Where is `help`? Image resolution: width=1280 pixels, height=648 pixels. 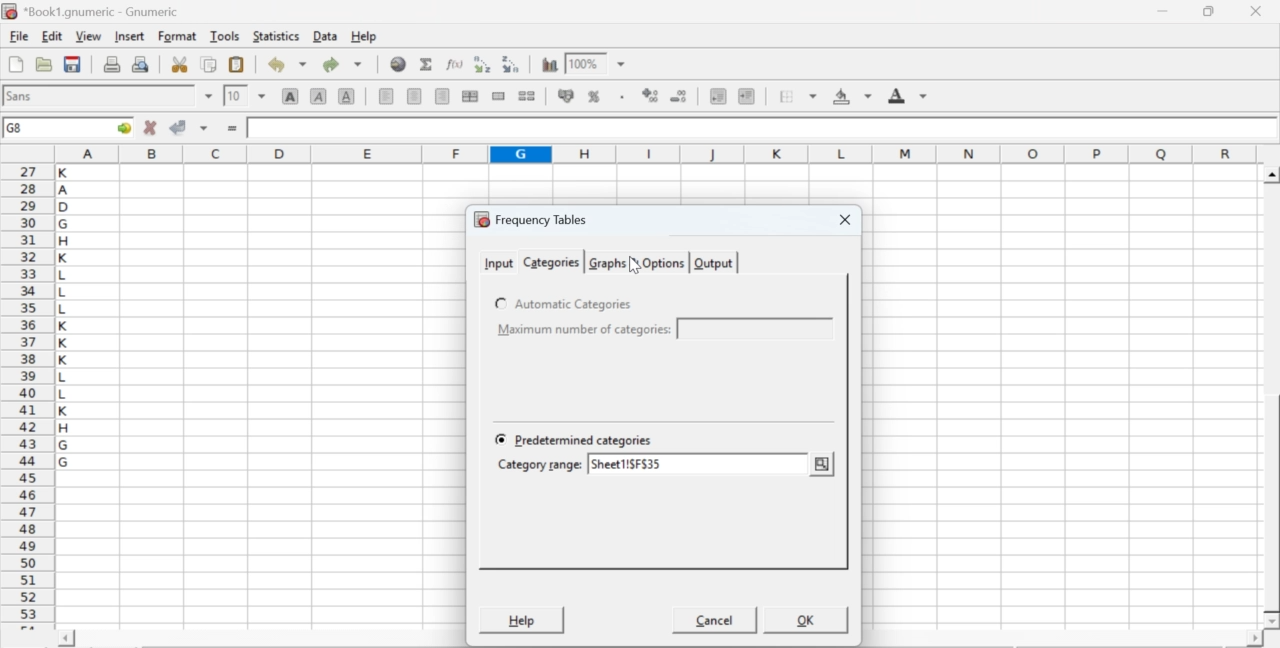 help is located at coordinates (520, 619).